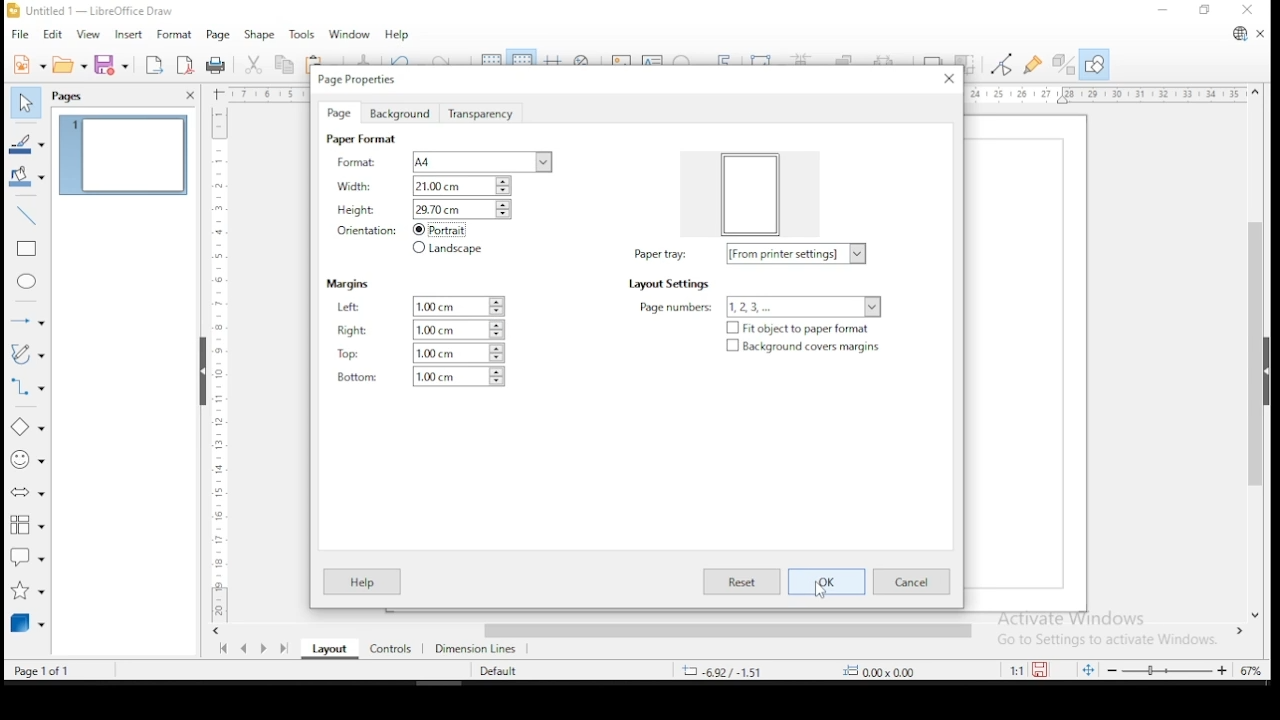 This screenshot has width=1280, height=720. What do you see at coordinates (68, 65) in the screenshot?
I see `open` at bounding box center [68, 65].